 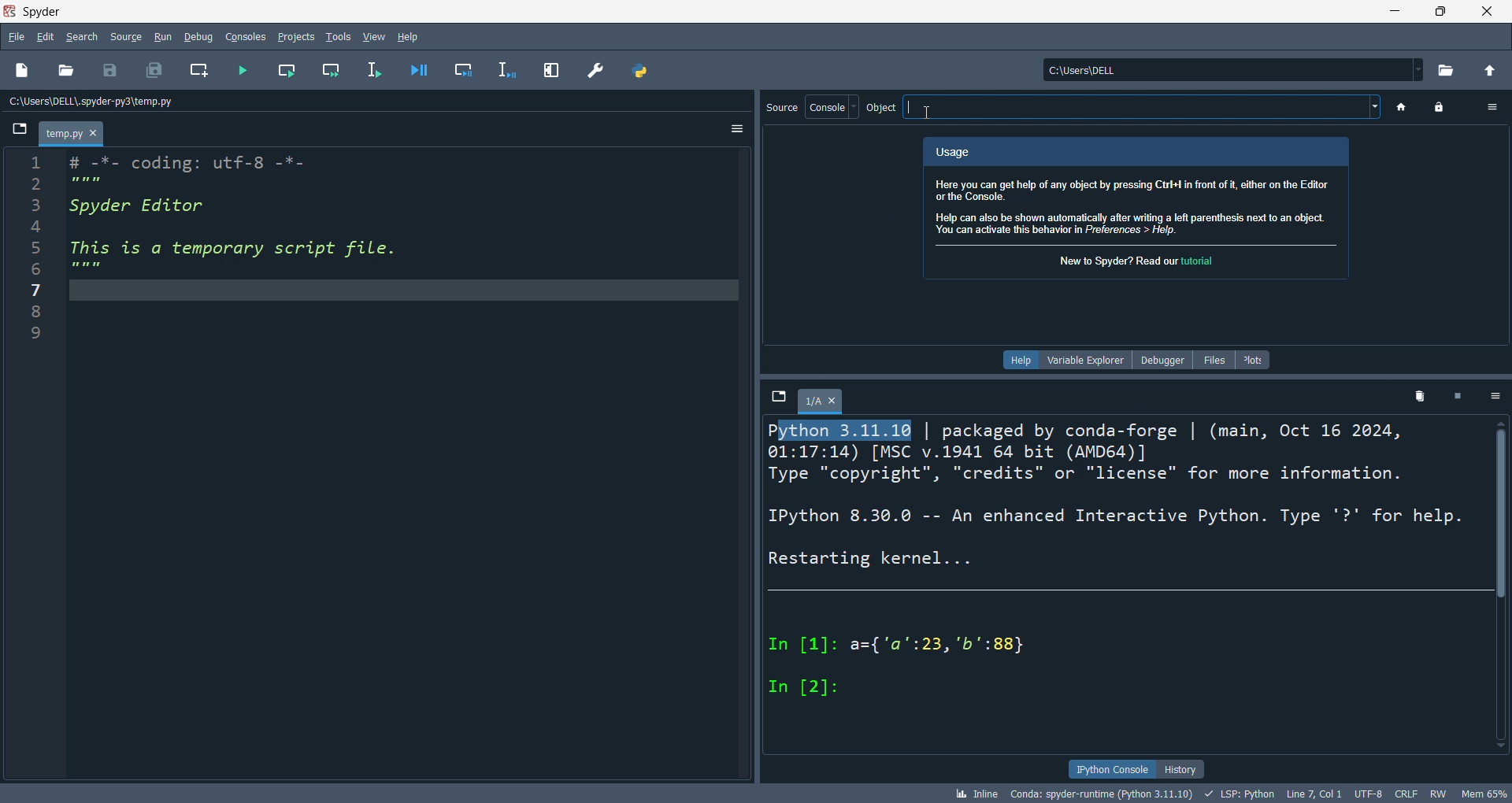 What do you see at coordinates (372, 68) in the screenshot?
I see `runline` at bounding box center [372, 68].